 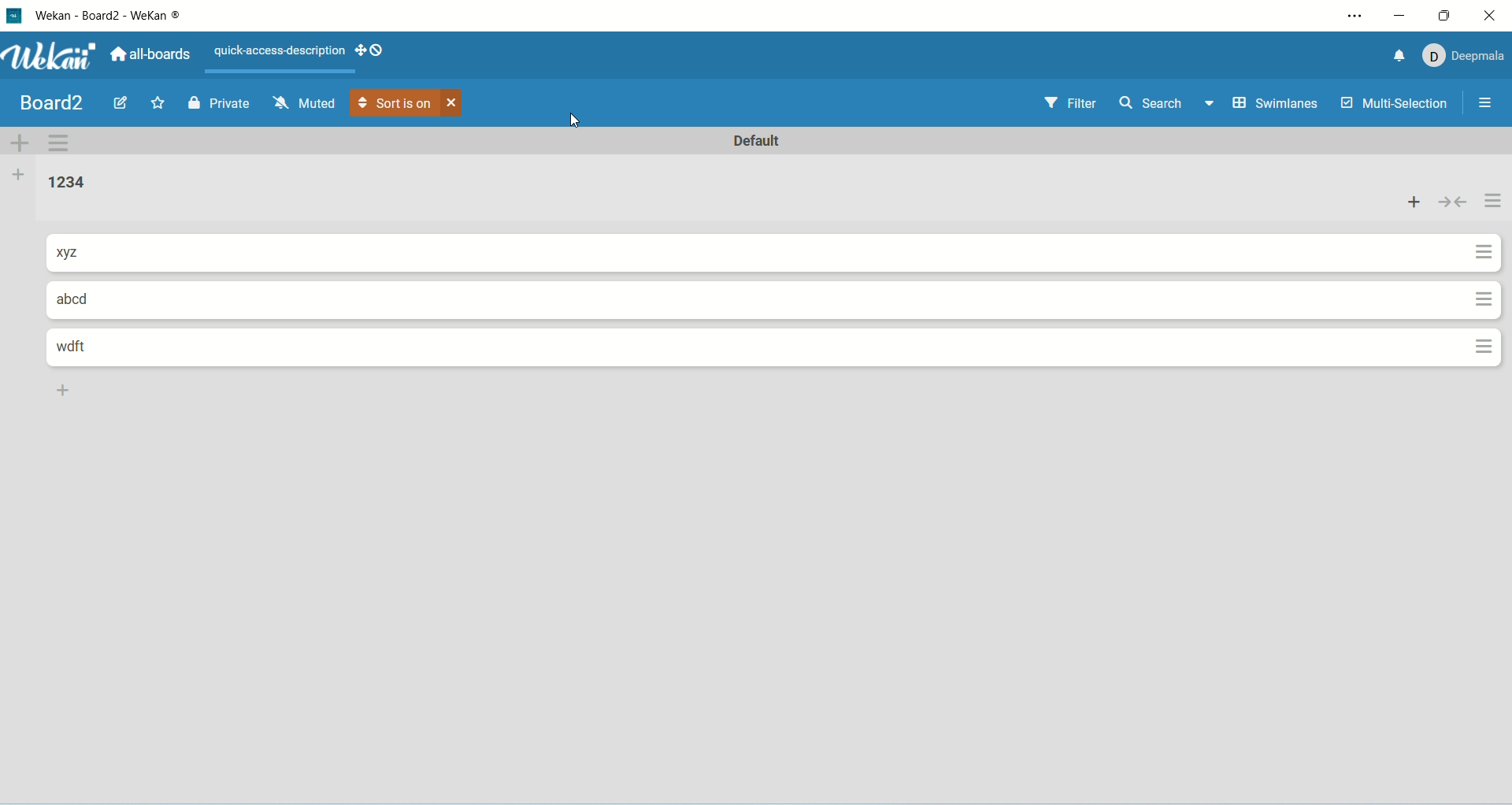 I want to click on settings and more, so click(x=1355, y=15).